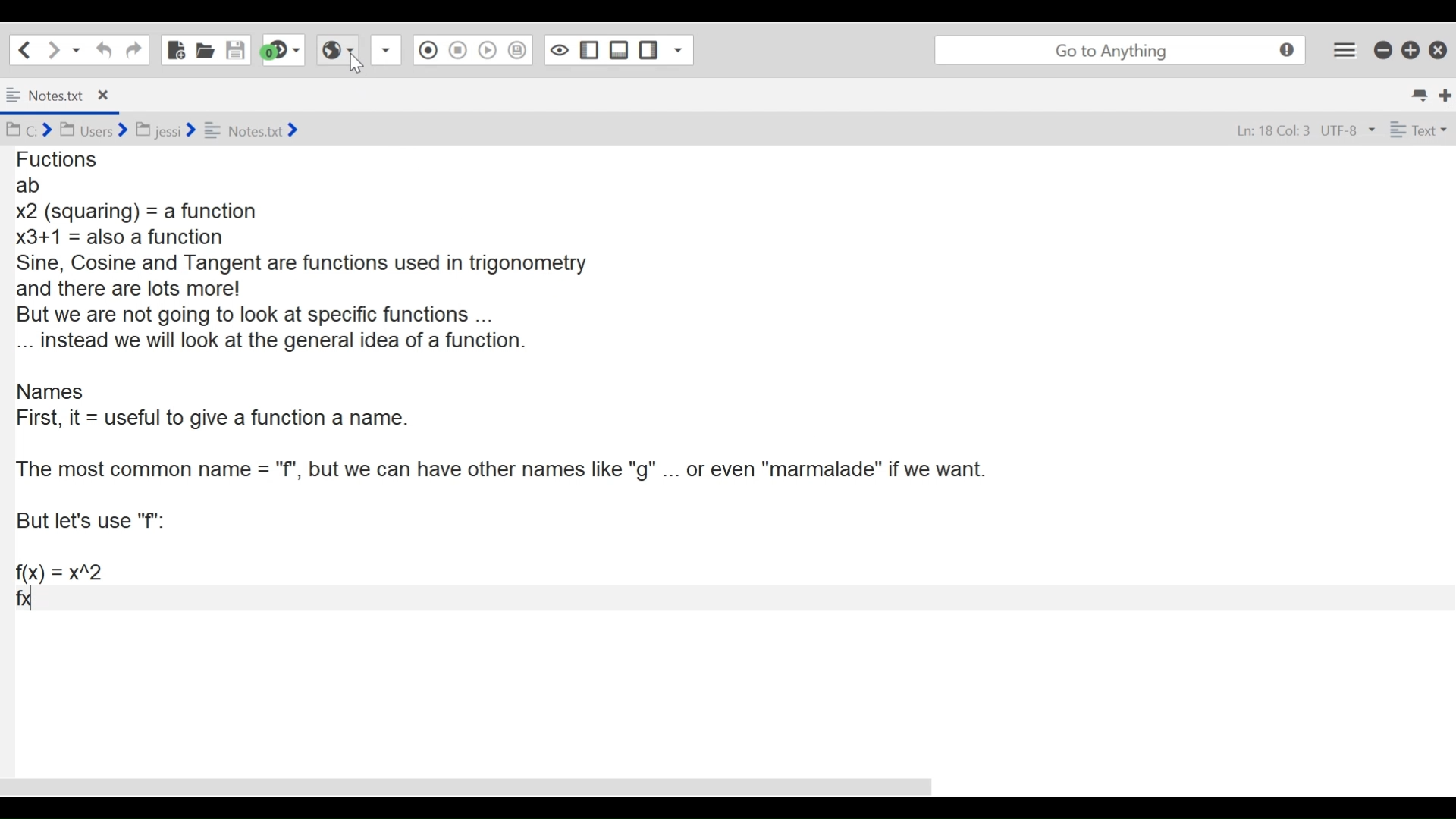  Describe the element at coordinates (24, 49) in the screenshot. I see `Go Back one location` at that location.